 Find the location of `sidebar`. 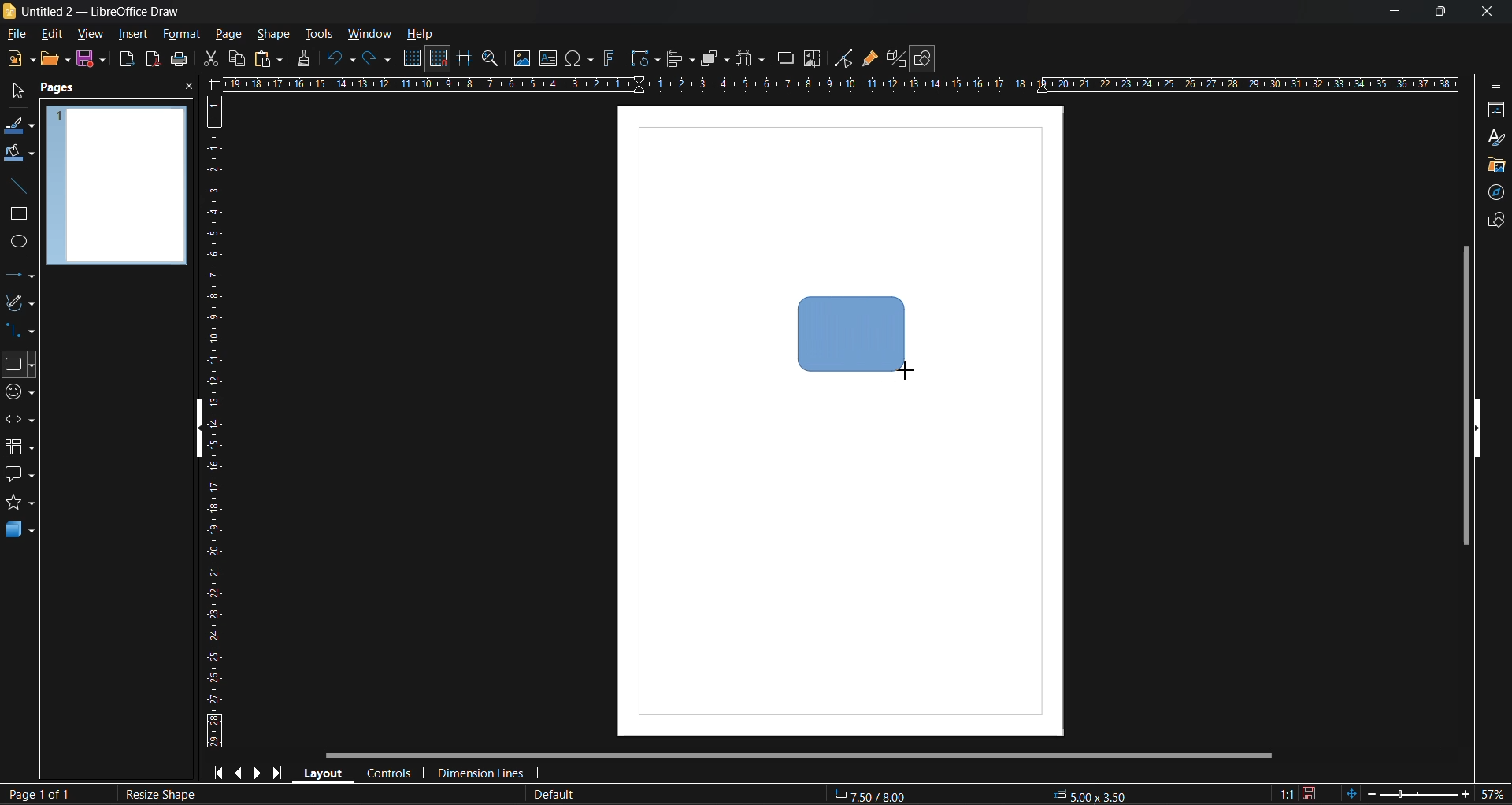

sidebar is located at coordinates (1494, 88).